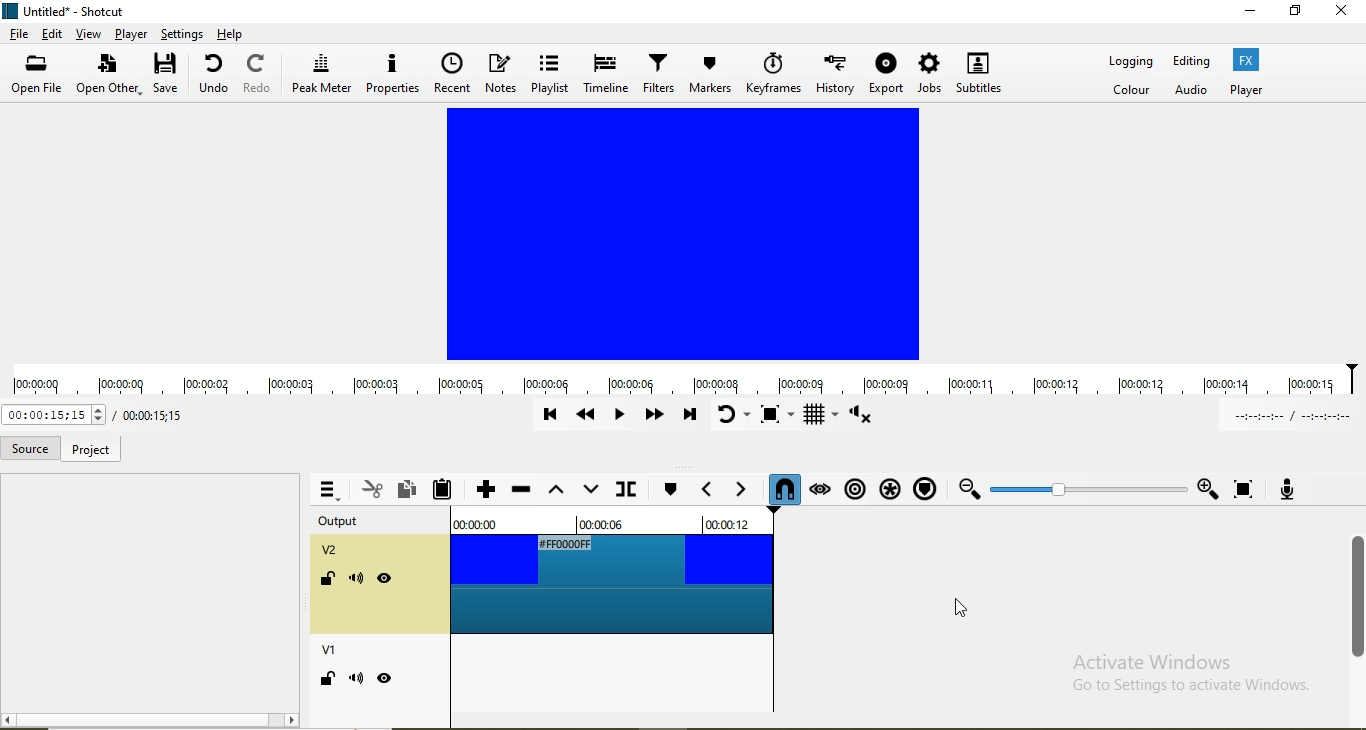 Image resolution: width=1366 pixels, height=730 pixels. I want to click on Record audio, so click(1285, 487).